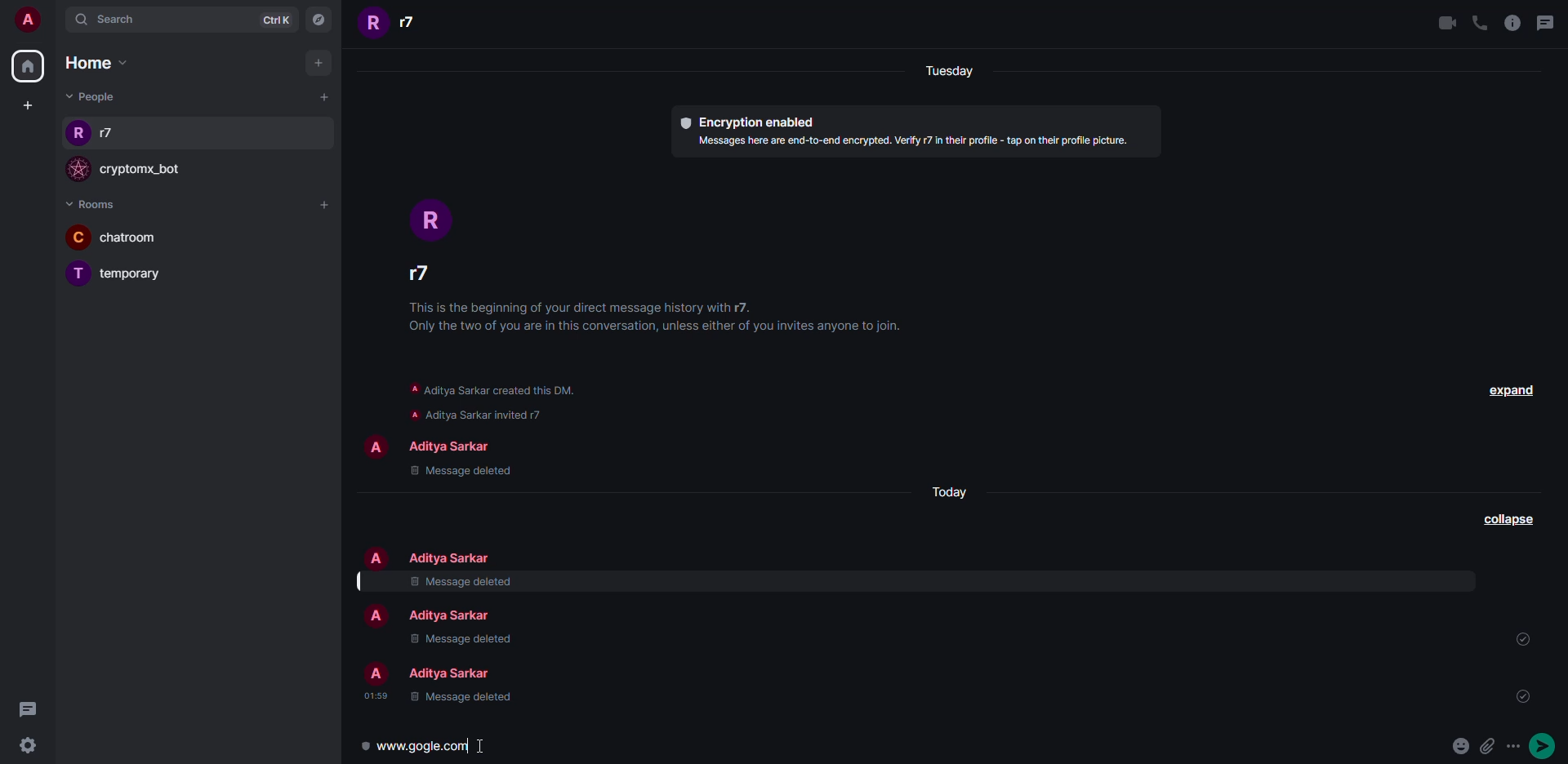  Describe the element at coordinates (274, 19) in the screenshot. I see `ctrlK` at that location.